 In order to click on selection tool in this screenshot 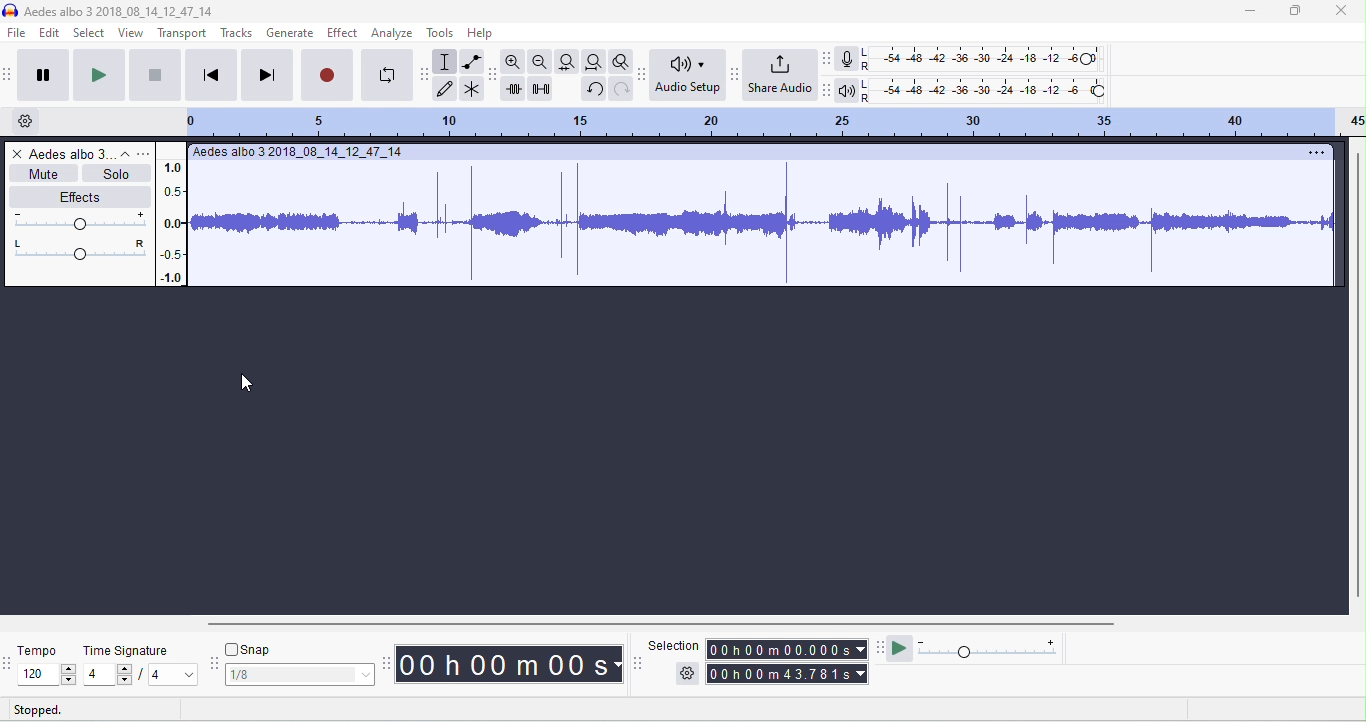, I will do `click(445, 62)`.